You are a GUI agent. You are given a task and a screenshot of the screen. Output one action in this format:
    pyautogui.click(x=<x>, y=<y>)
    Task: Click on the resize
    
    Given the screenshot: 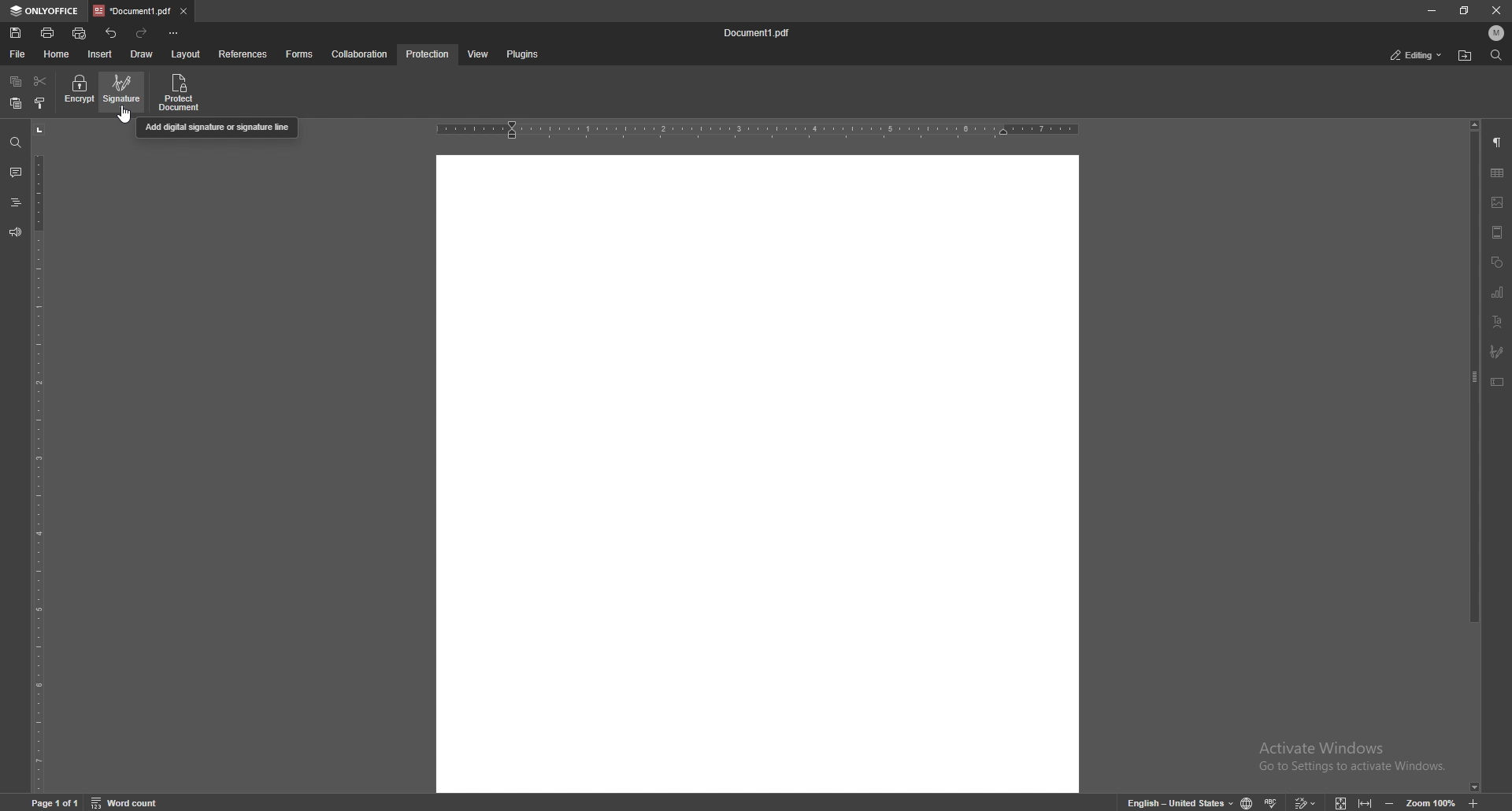 What is the action you would take?
    pyautogui.click(x=1466, y=10)
    